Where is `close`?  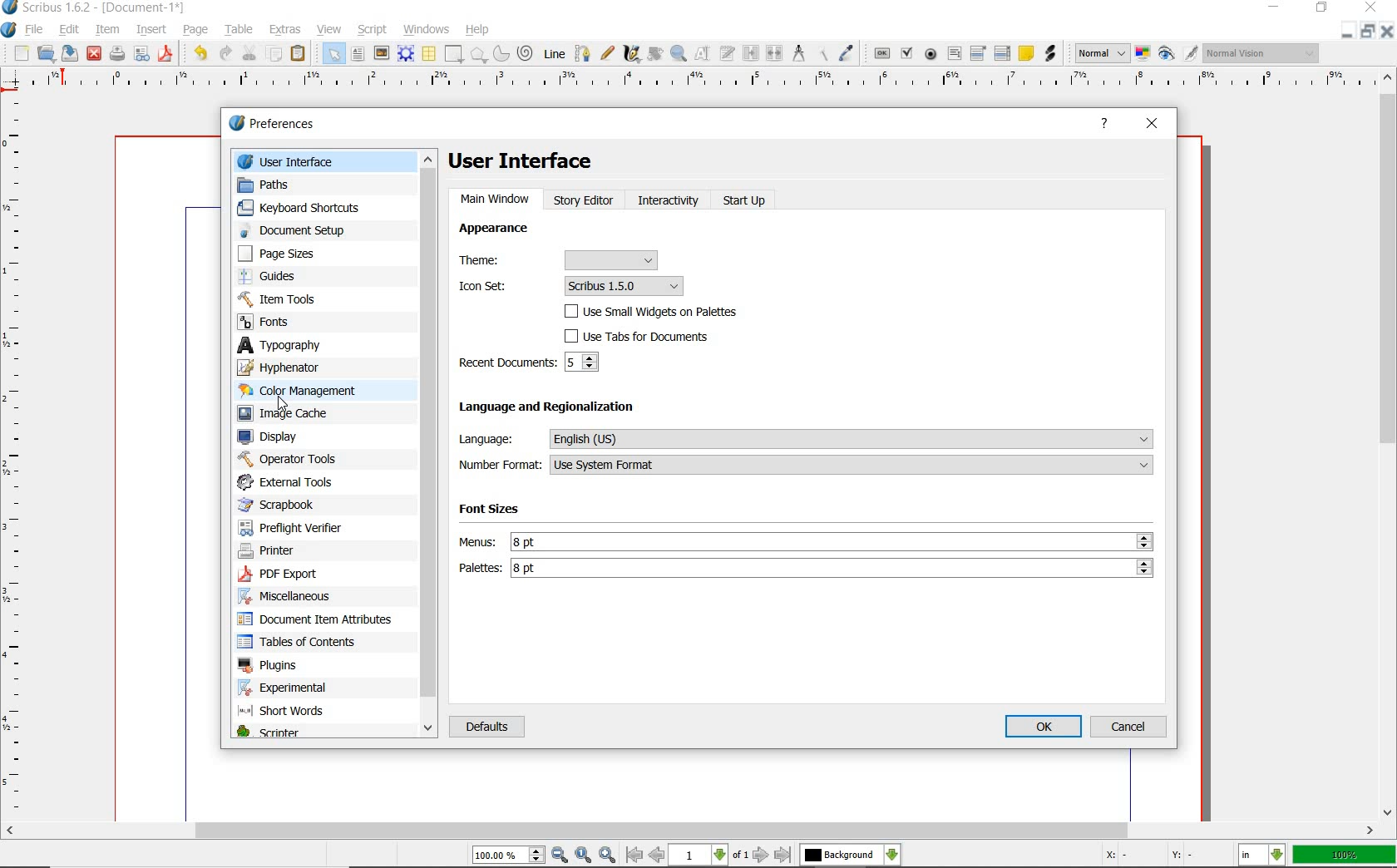
close is located at coordinates (1387, 32).